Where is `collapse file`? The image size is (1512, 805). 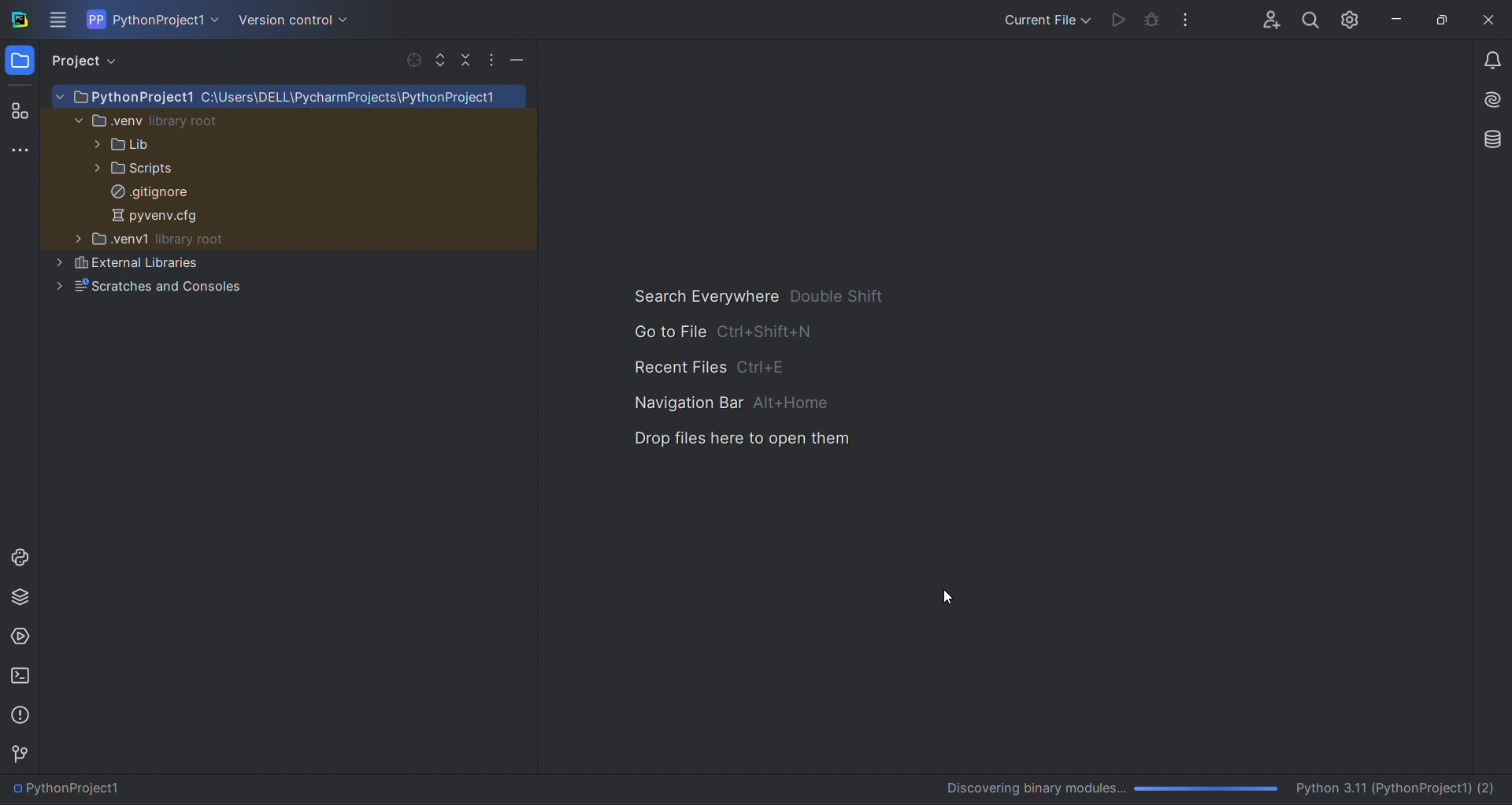
collapse file is located at coordinates (465, 61).